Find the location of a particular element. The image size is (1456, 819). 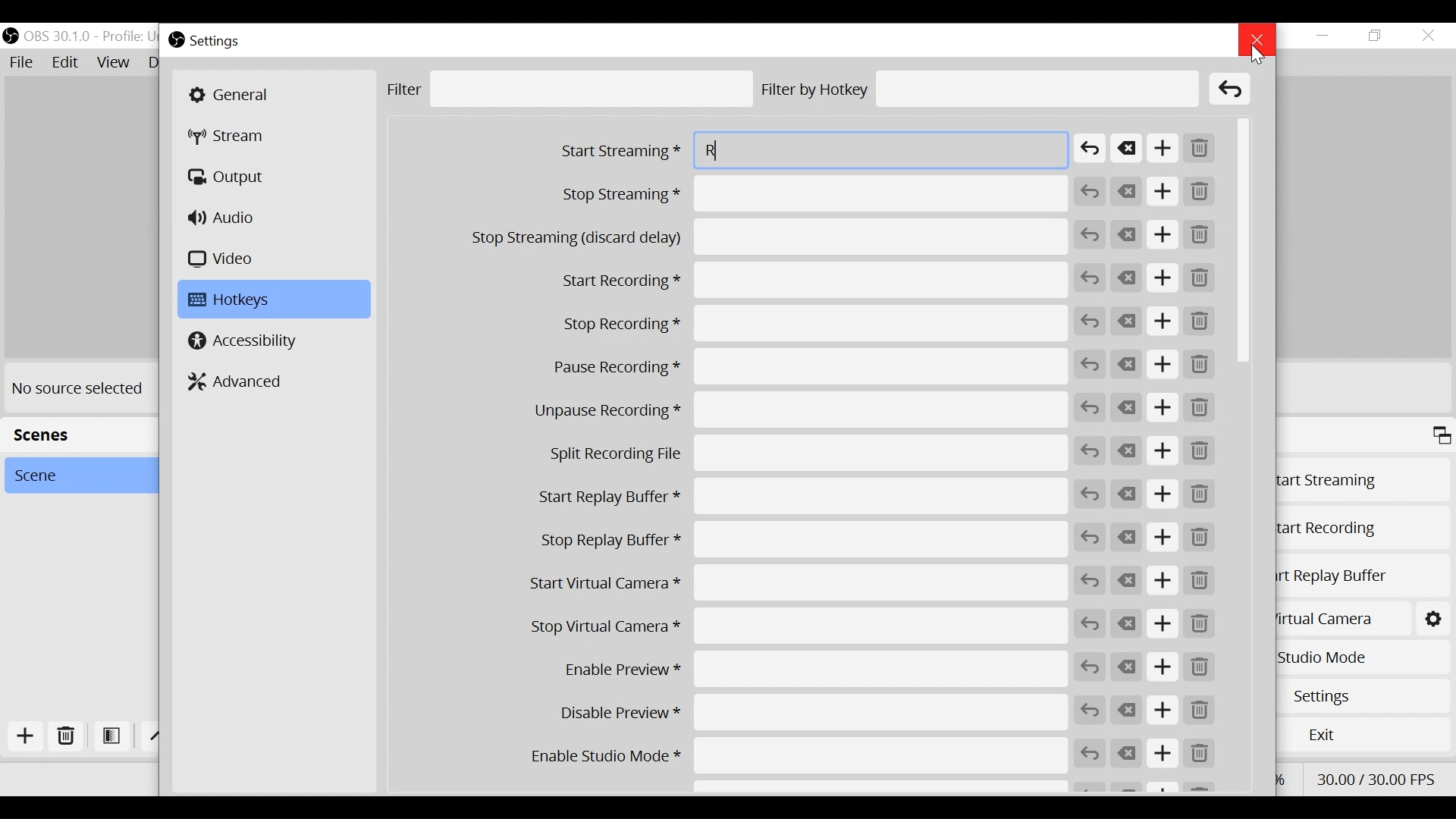

Clear is located at coordinates (1128, 625).